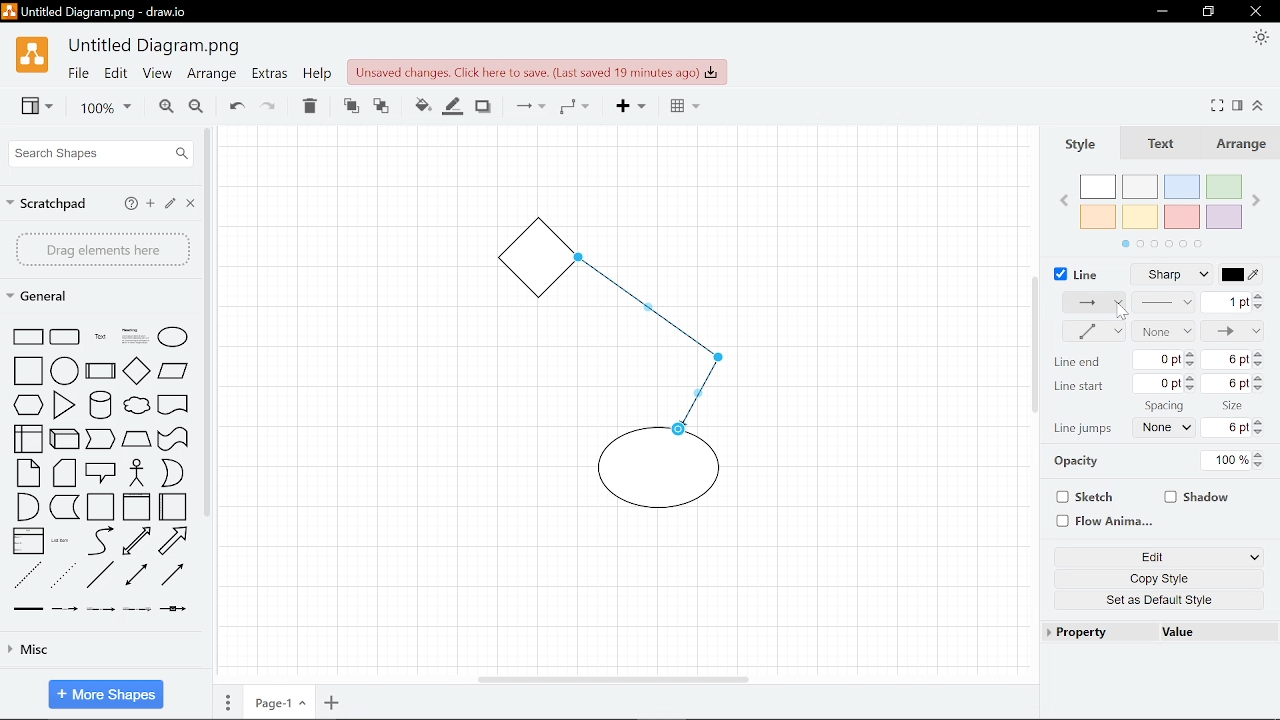 This screenshot has width=1280, height=720. Describe the element at coordinates (277, 704) in the screenshot. I see `Page-1 ` at that location.